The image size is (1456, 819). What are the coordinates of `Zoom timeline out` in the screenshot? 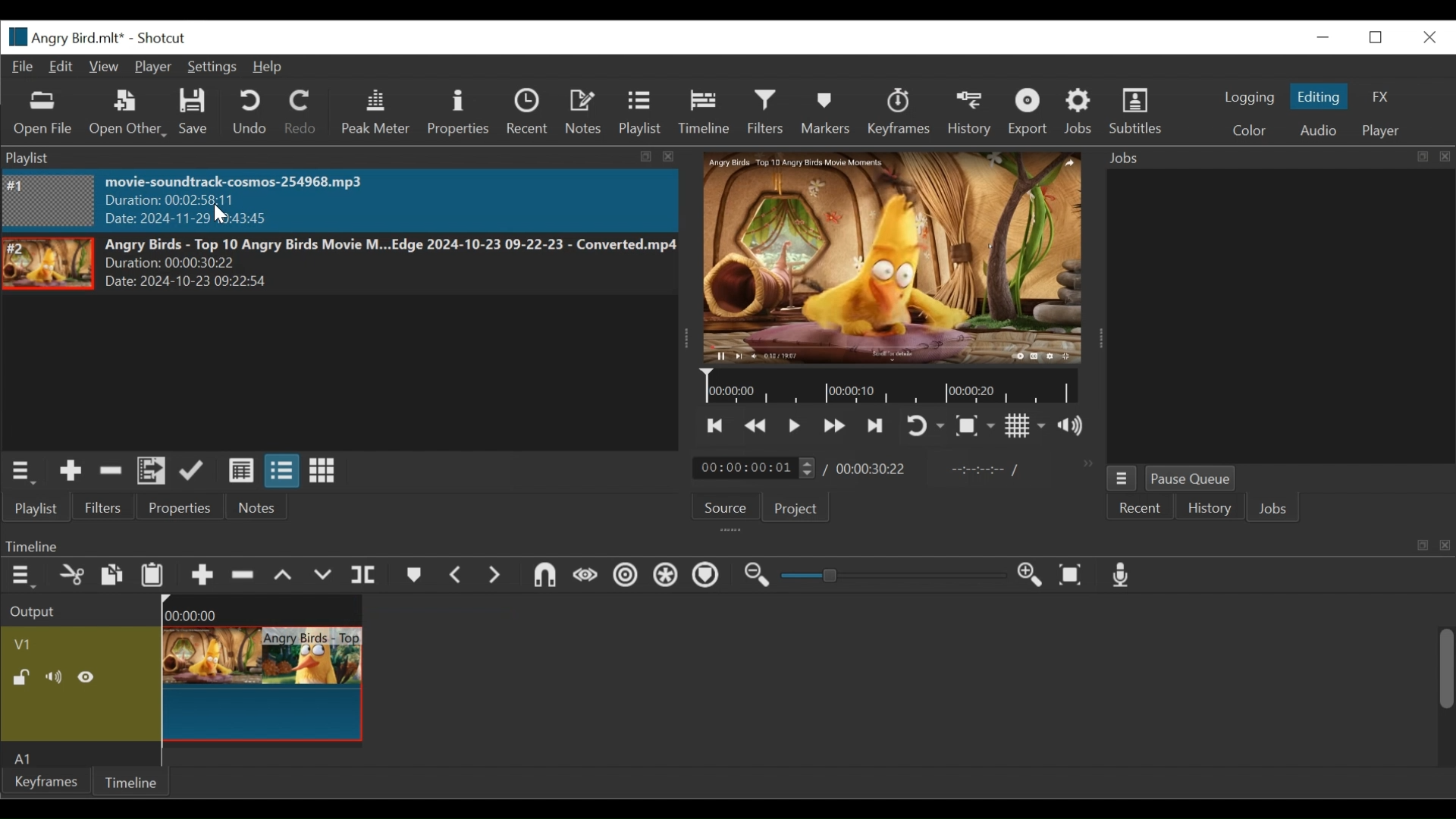 It's located at (761, 576).